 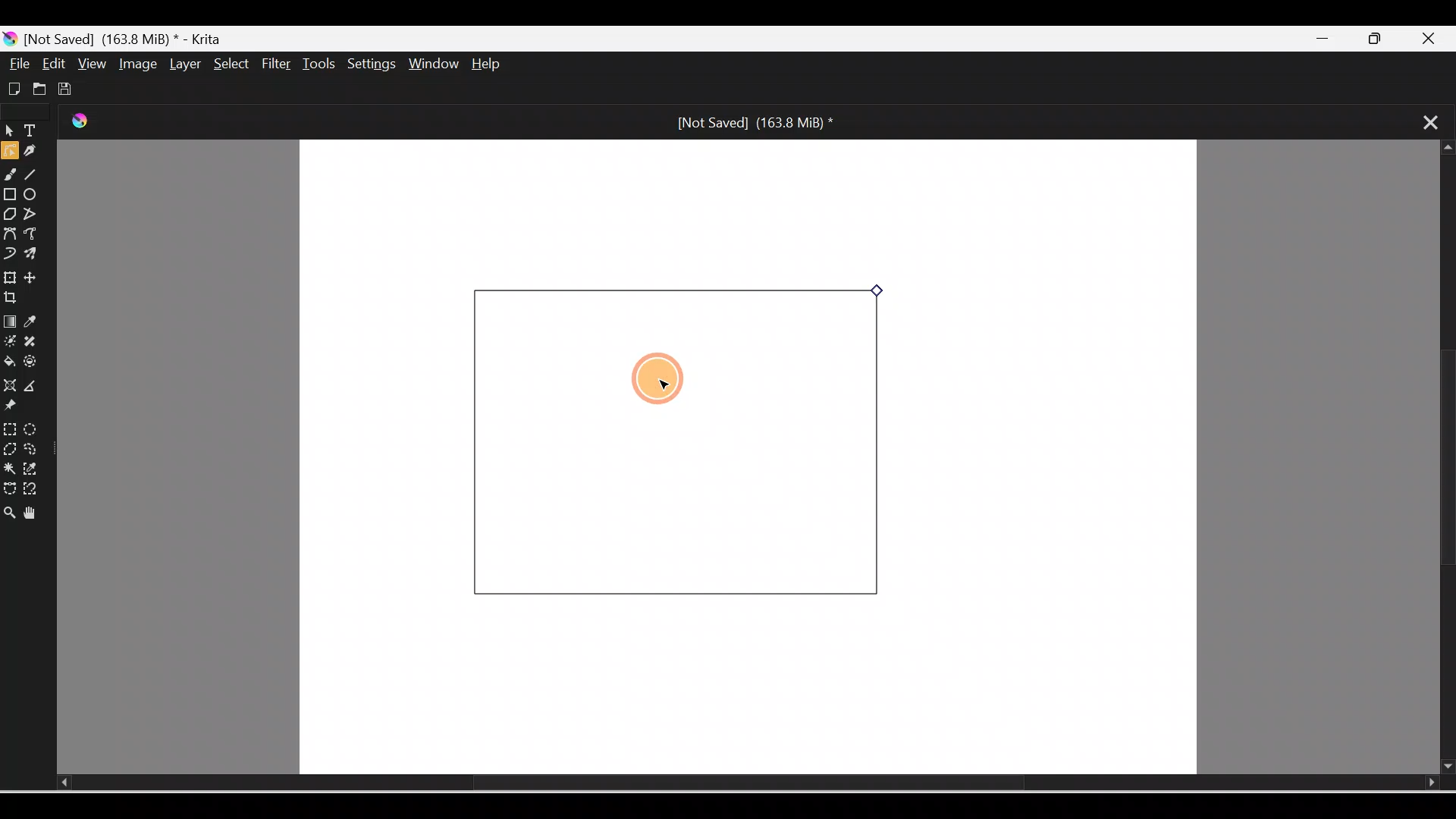 What do you see at coordinates (11, 233) in the screenshot?
I see `Bezier curve tool` at bounding box center [11, 233].